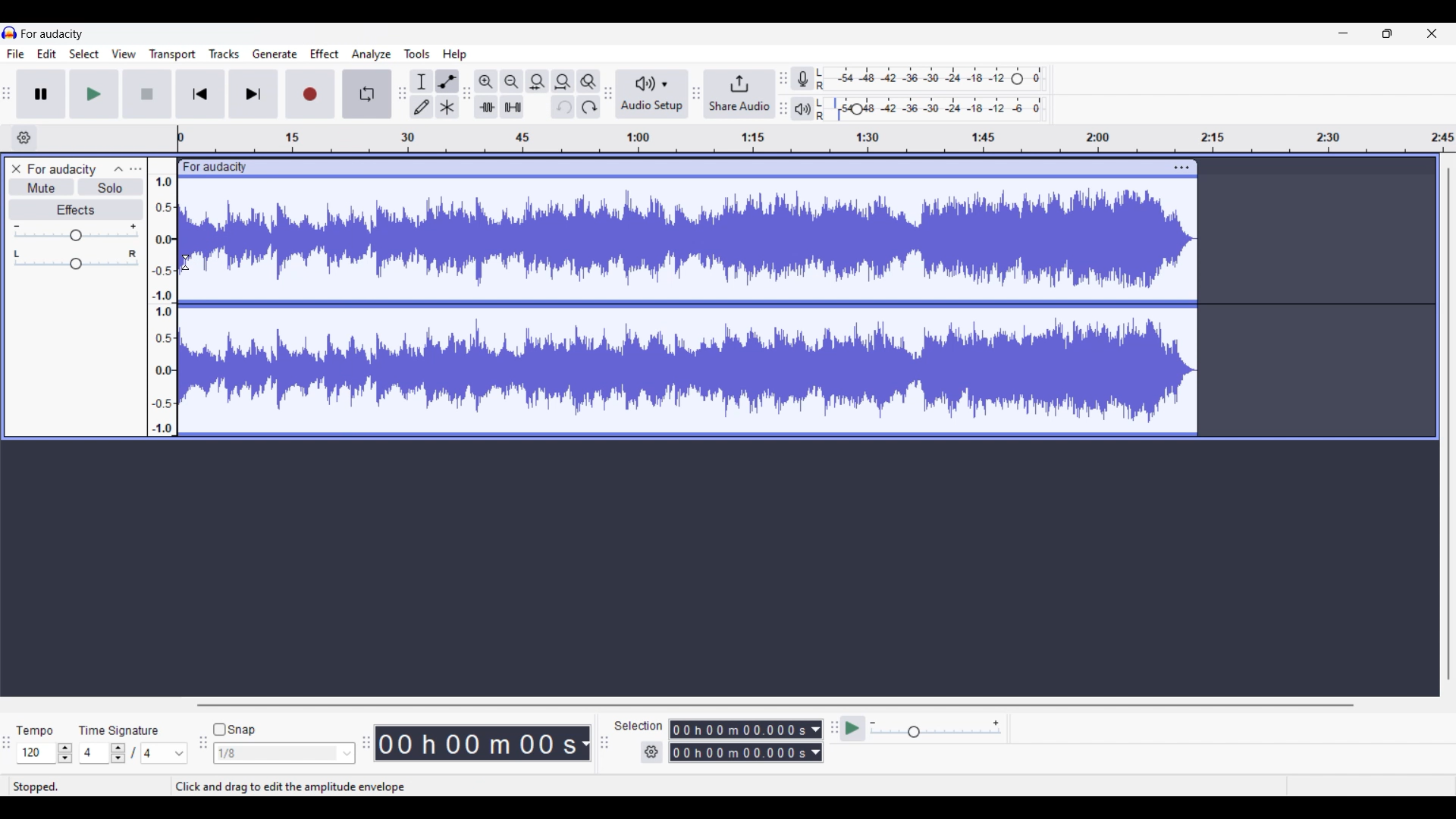 This screenshot has width=1456, height=819. What do you see at coordinates (284, 754) in the screenshot?
I see `Snap options` at bounding box center [284, 754].